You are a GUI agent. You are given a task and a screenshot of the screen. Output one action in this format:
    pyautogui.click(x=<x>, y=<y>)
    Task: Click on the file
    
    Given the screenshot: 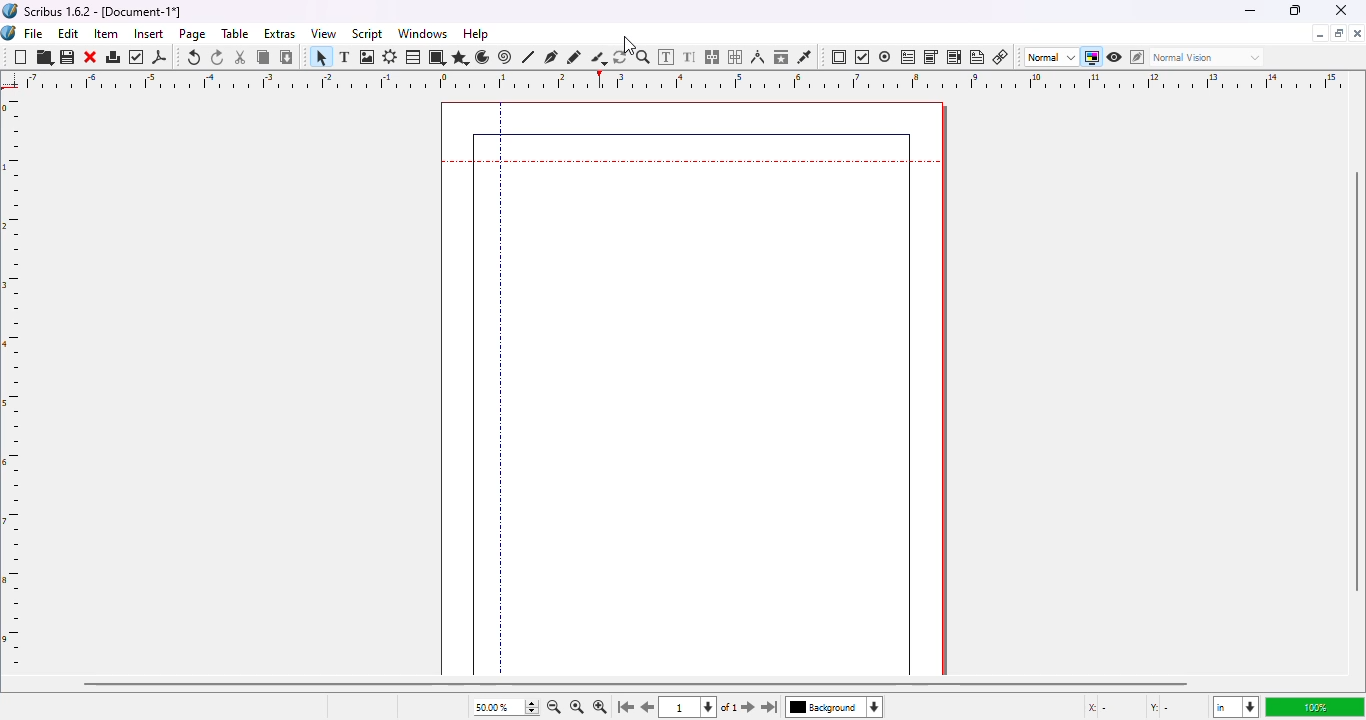 What is the action you would take?
    pyautogui.click(x=34, y=33)
    